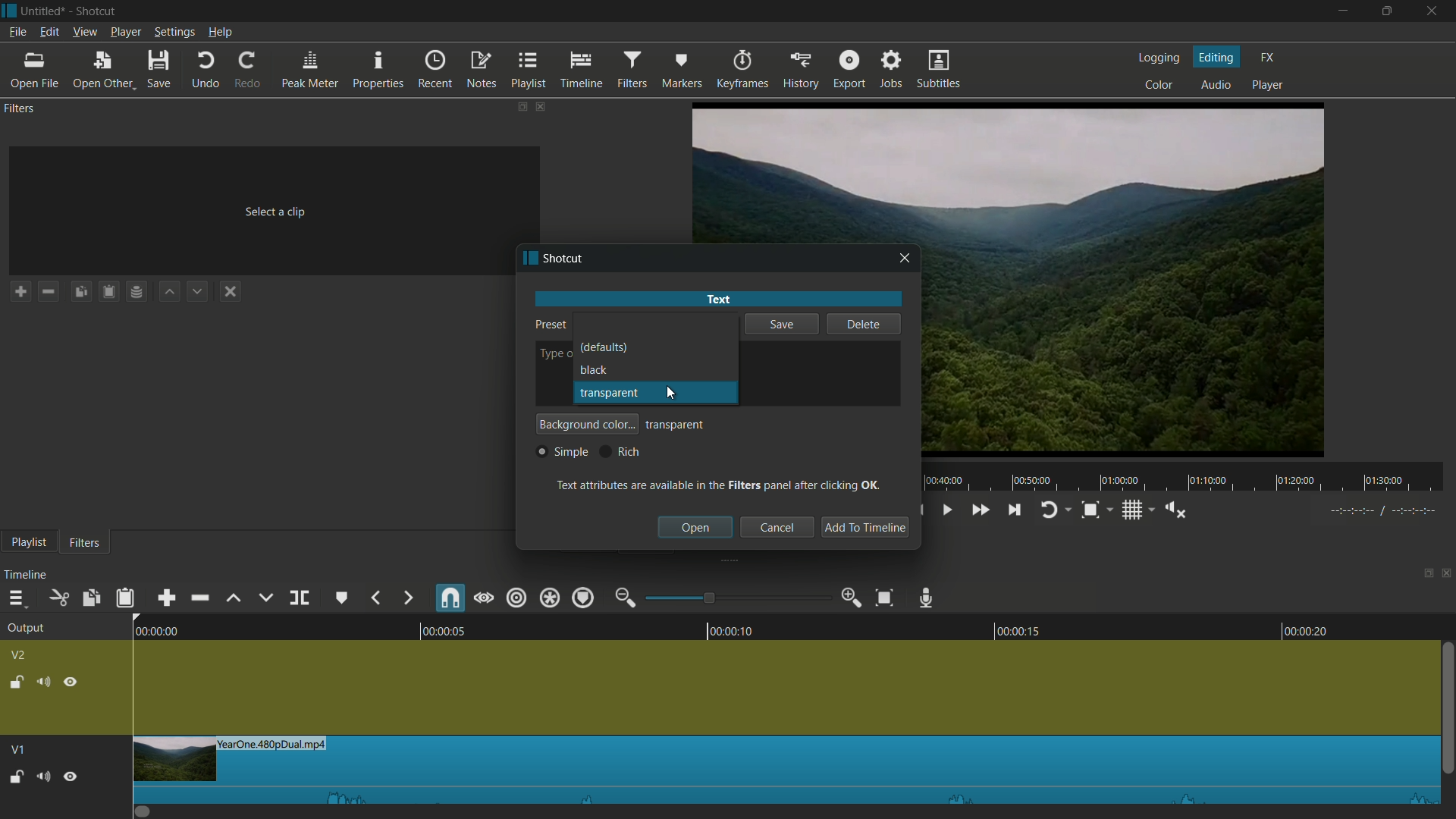 This screenshot has height=819, width=1456. What do you see at coordinates (163, 598) in the screenshot?
I see `append` at bounding box center [163, 598].